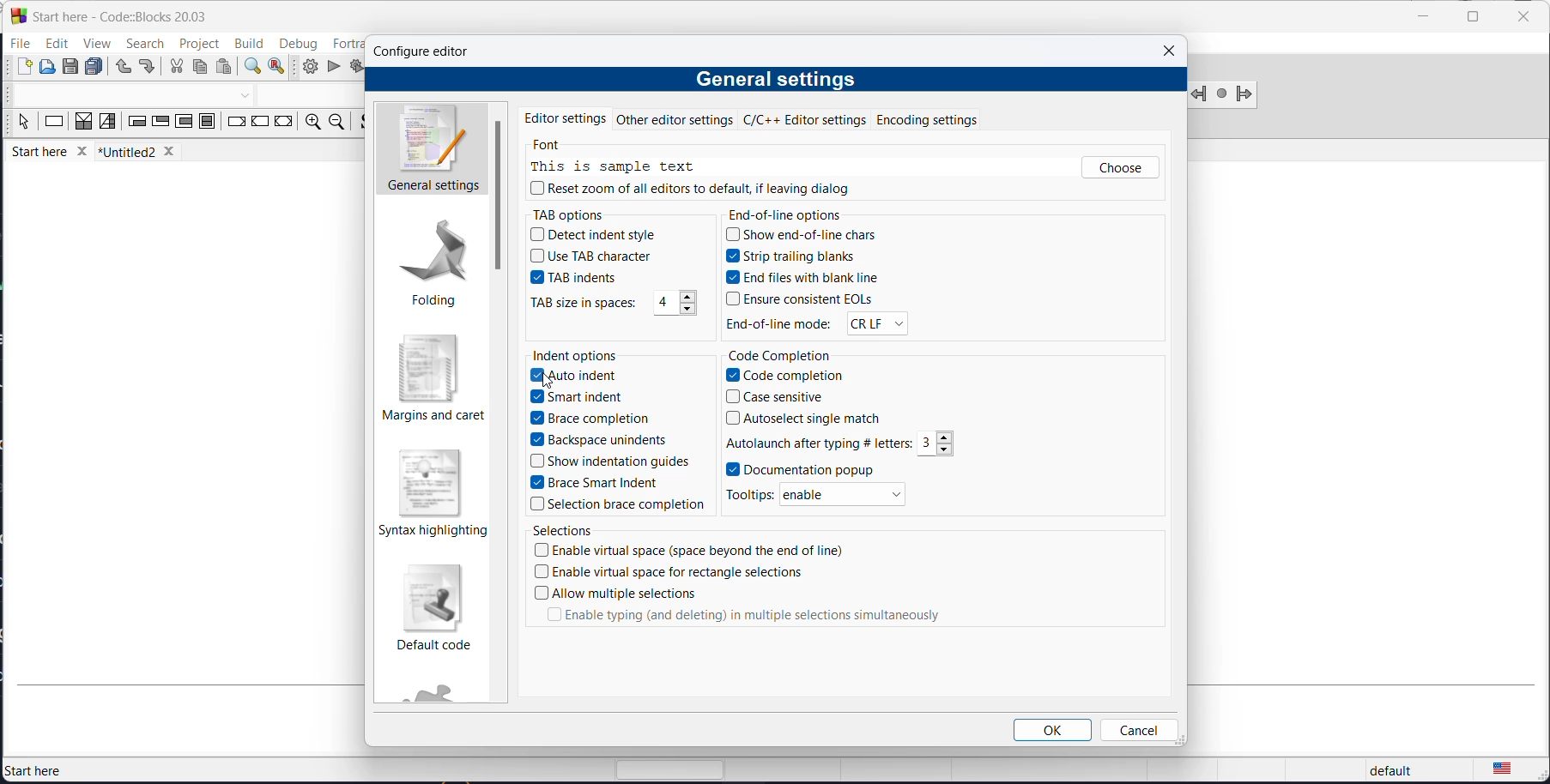  Describe the element at coordinates (439, 690) in the screenshot. I see `fortran project` at that location.